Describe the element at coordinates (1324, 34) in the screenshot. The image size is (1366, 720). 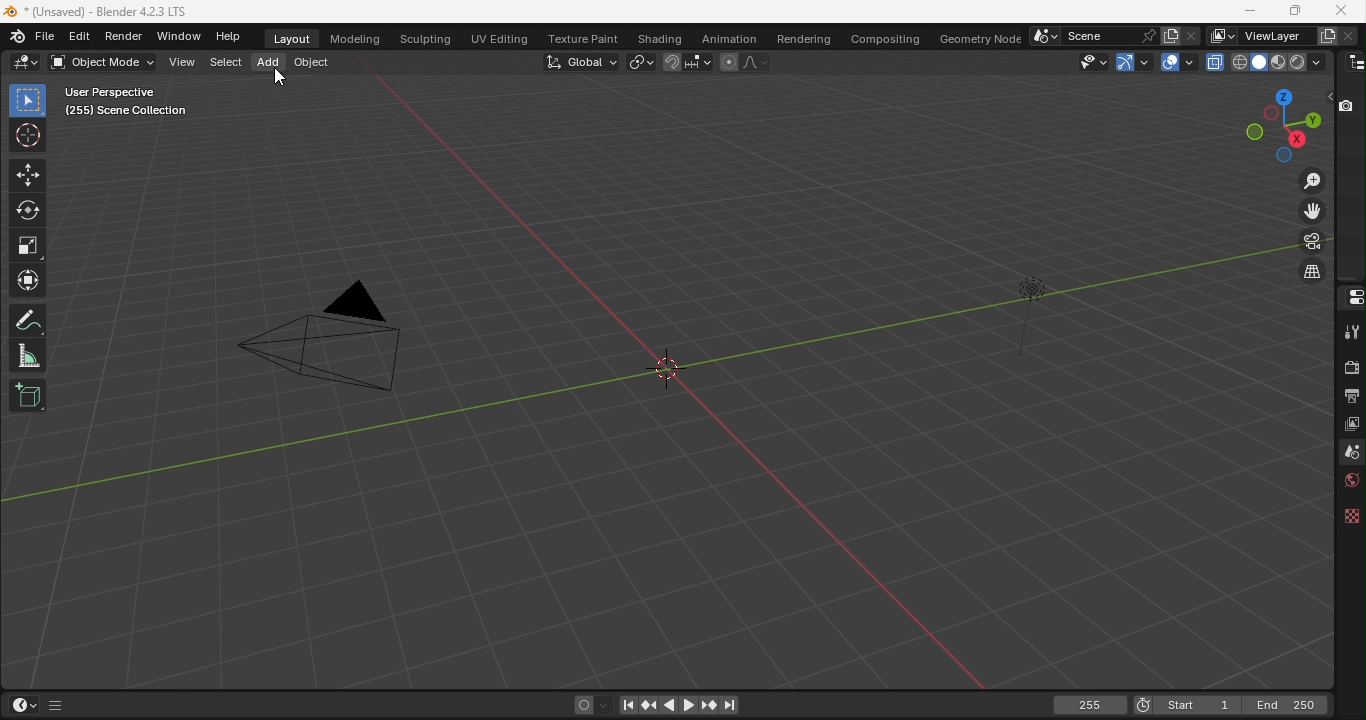
I see `Add view layer` at that location.